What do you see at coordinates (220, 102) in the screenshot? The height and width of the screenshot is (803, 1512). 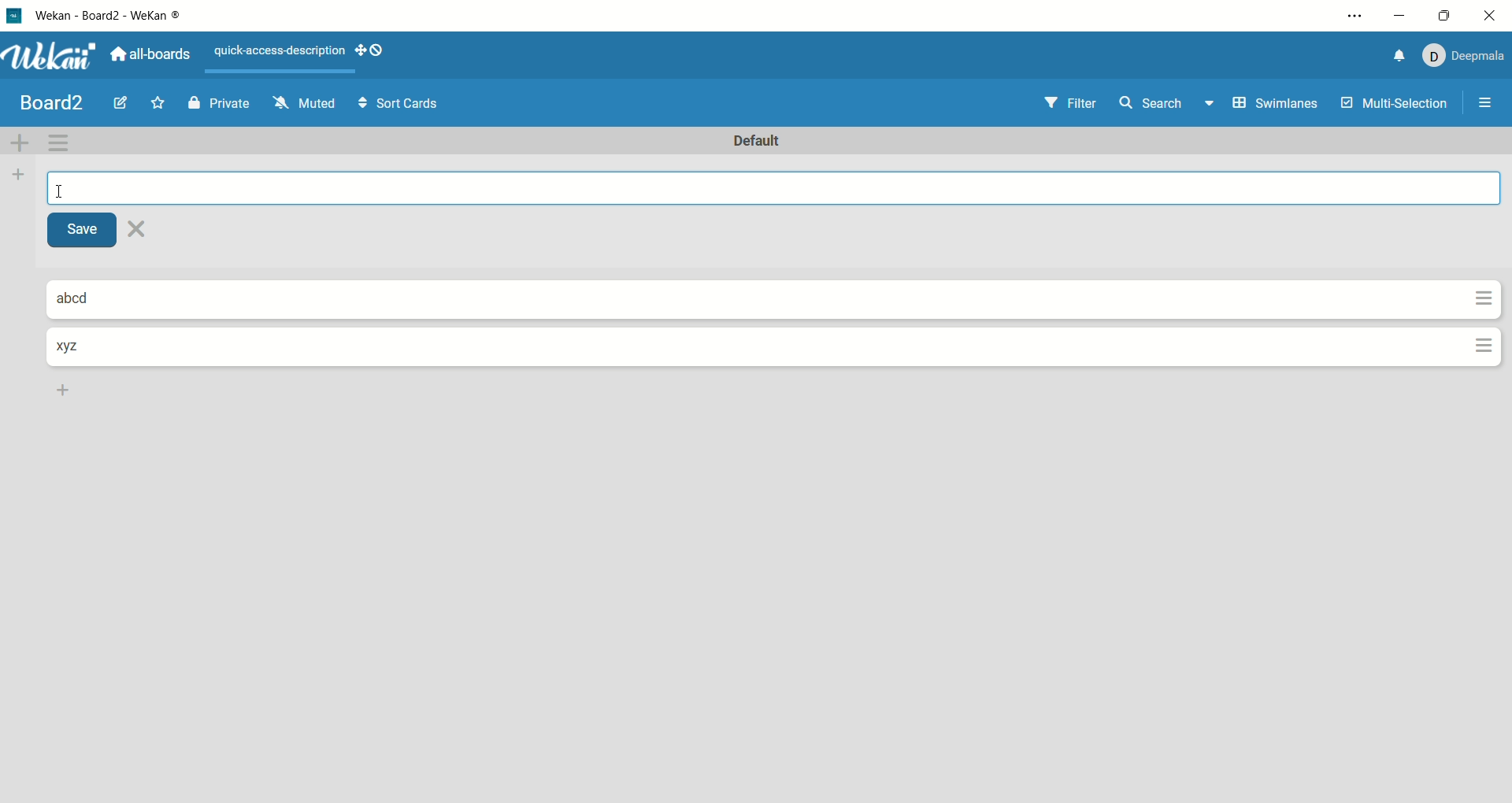 I see `private` at bounding box center [220, 102].